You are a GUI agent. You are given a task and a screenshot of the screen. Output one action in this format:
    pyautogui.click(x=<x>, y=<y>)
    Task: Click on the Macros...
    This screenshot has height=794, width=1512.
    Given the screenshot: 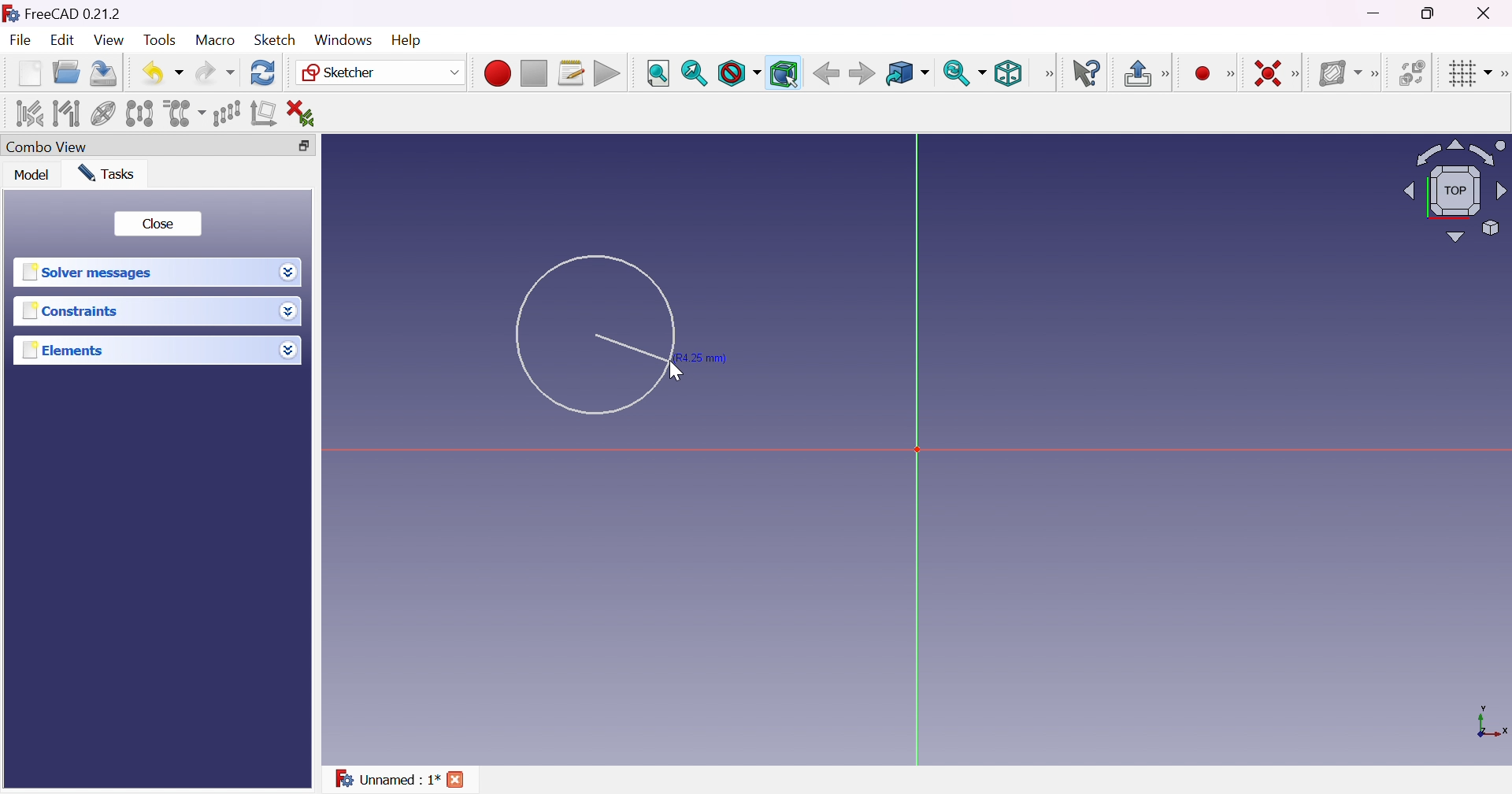 What is the action you would take?
    pyautogui.click(x=572, y=72)
    